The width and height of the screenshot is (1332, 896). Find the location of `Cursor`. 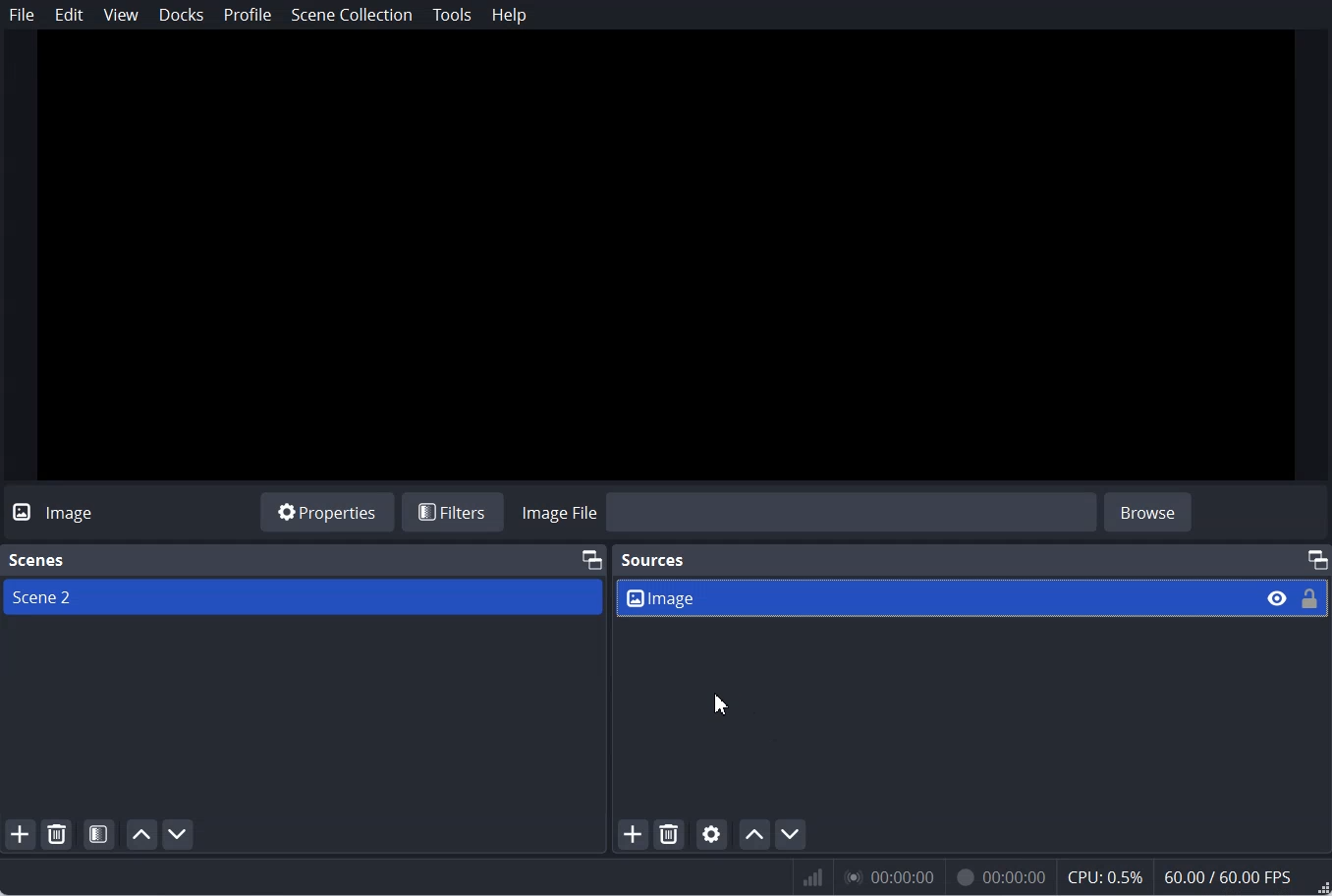

Cursor is located at coordinates (723, 702).